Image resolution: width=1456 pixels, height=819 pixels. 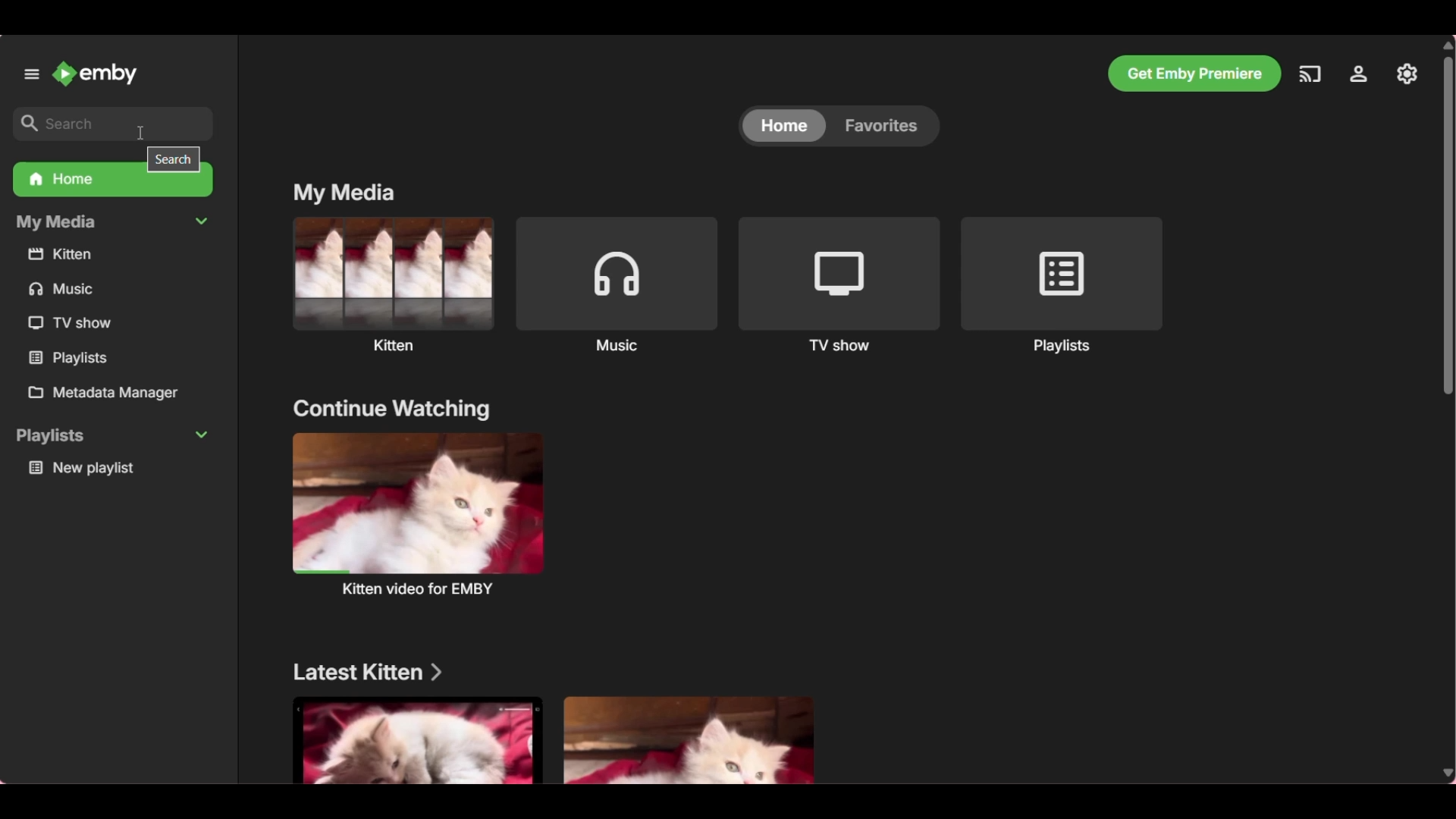 I want to click on My Media, so click(x=111, y=223).